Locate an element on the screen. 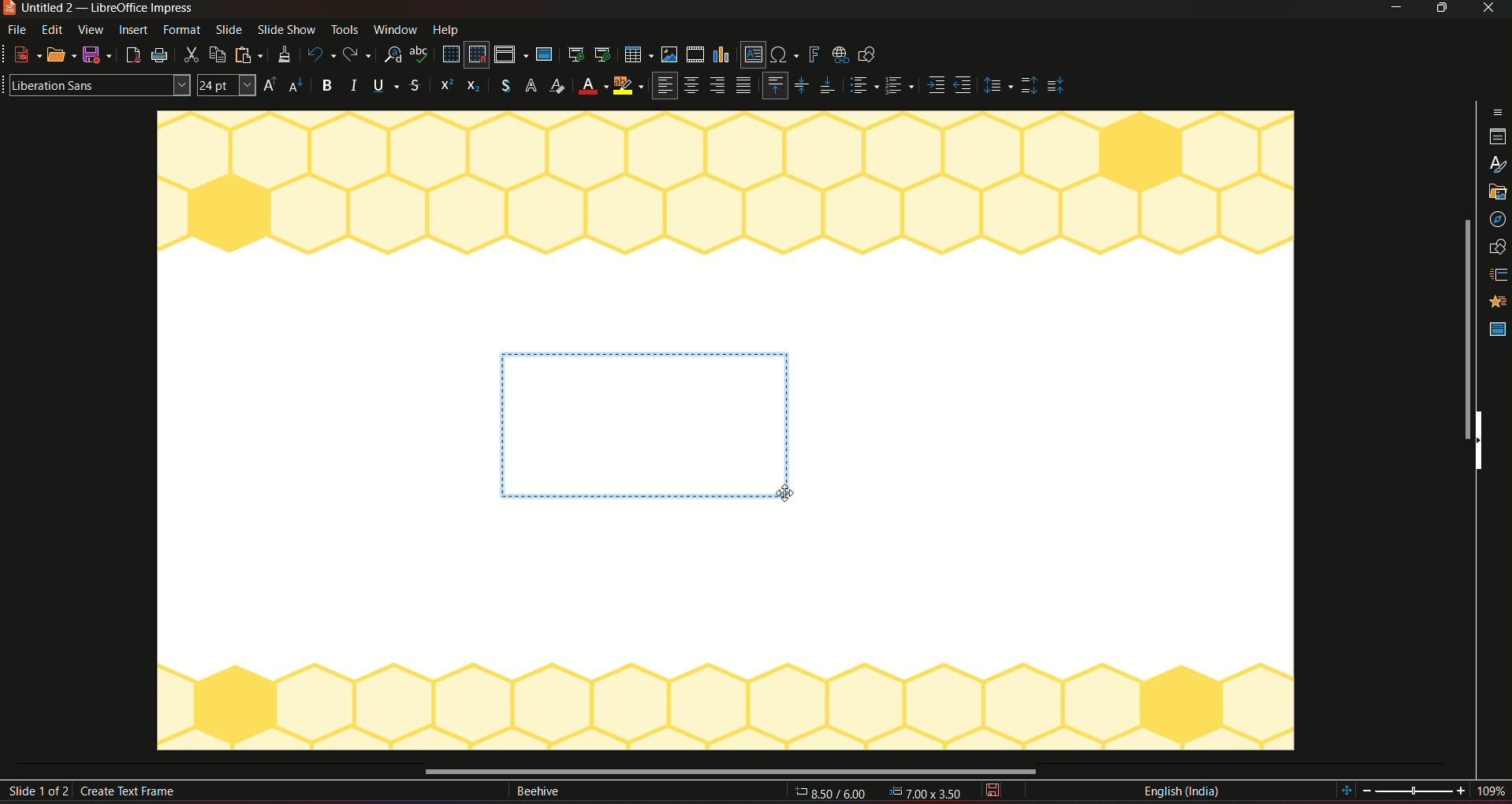 Image resolution: width=1512 pixels, height=804 pixels. workspace is located at coordinates (1057, 441).